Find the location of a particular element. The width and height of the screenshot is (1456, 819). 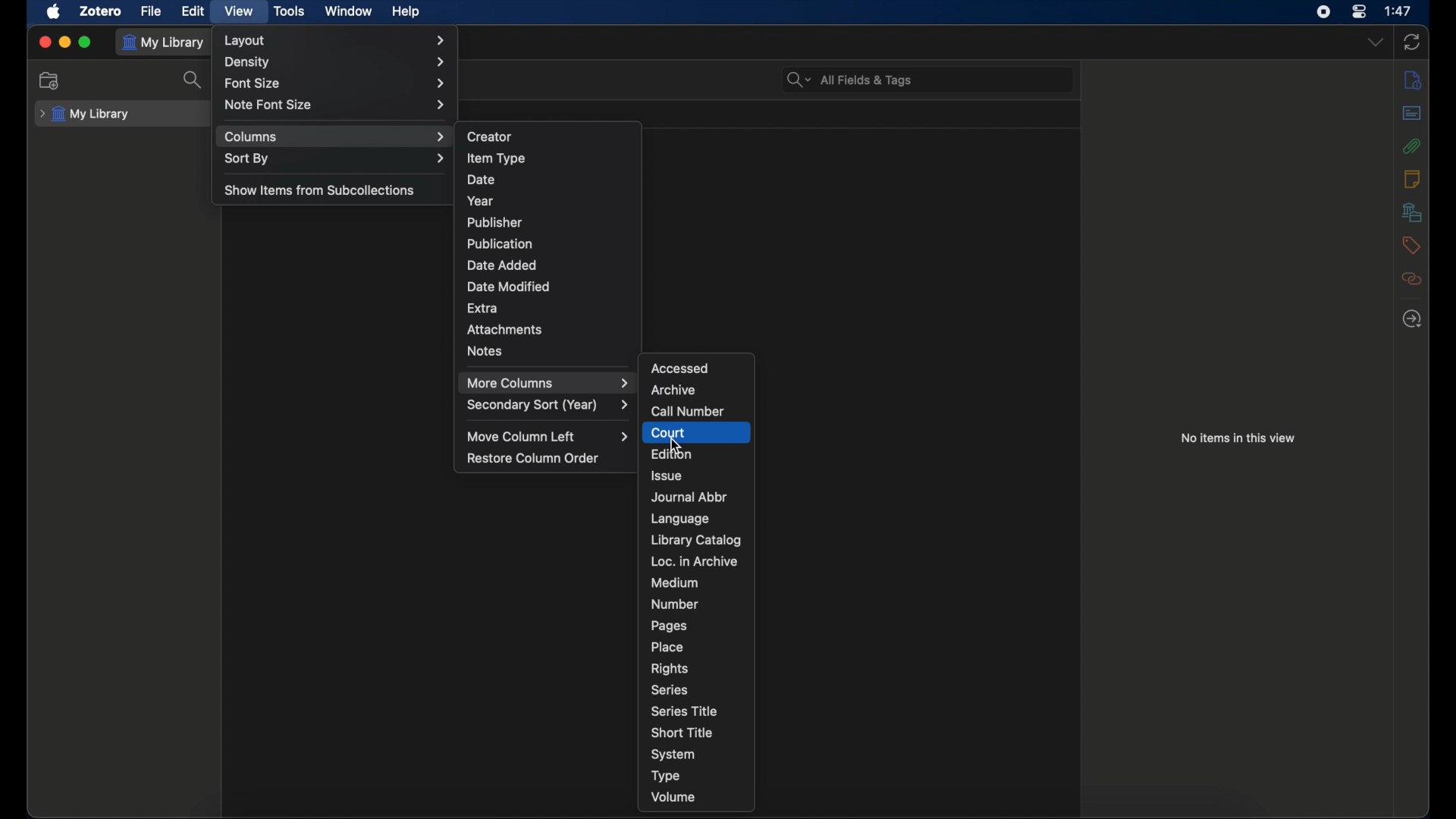

date added is located at coordinates (502, 265).